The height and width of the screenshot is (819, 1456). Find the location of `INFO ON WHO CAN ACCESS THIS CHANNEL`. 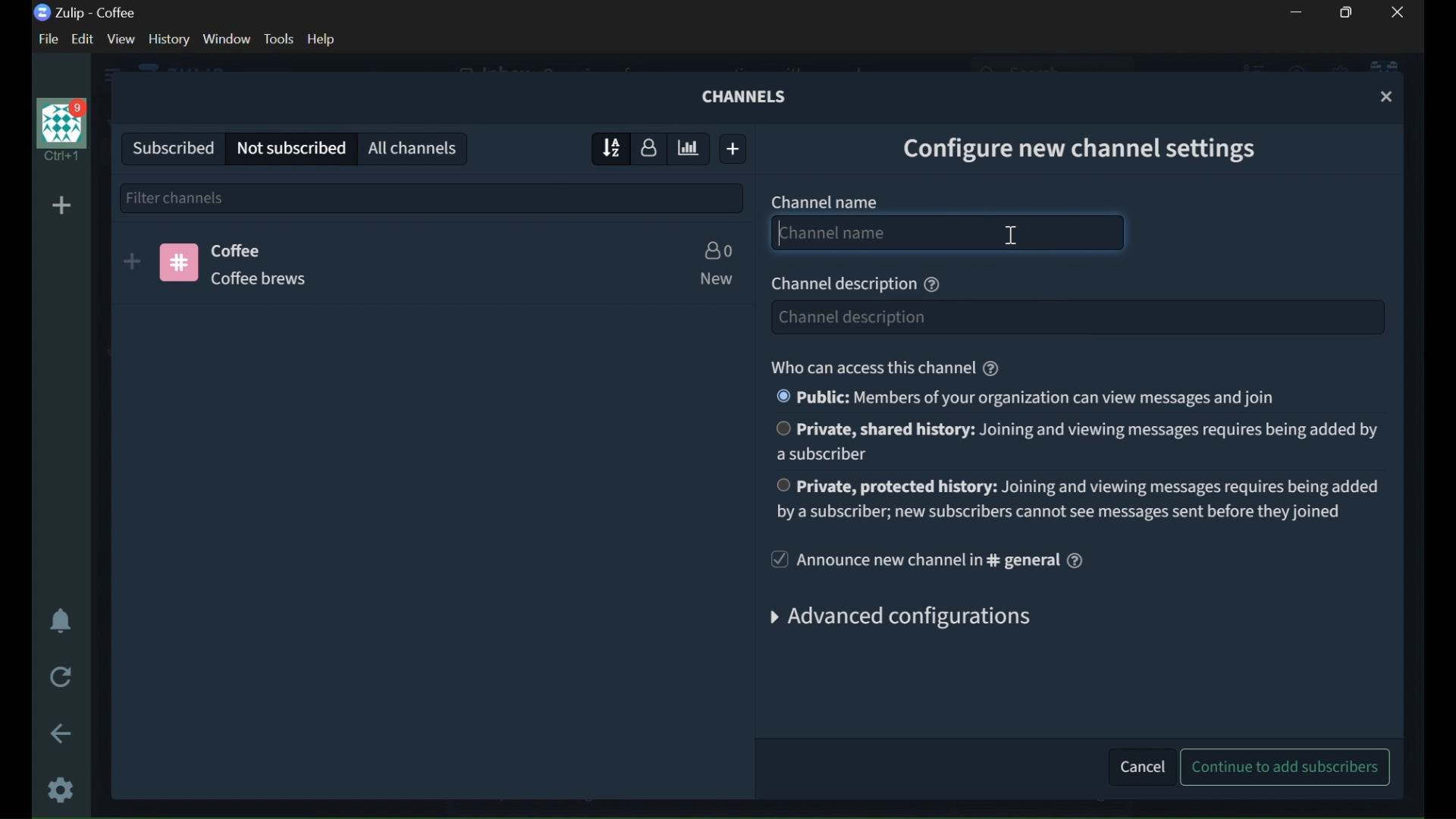

INFO ON WHO CAN ACCESS THIS CHANNEL is located at coordinates (870, 367).